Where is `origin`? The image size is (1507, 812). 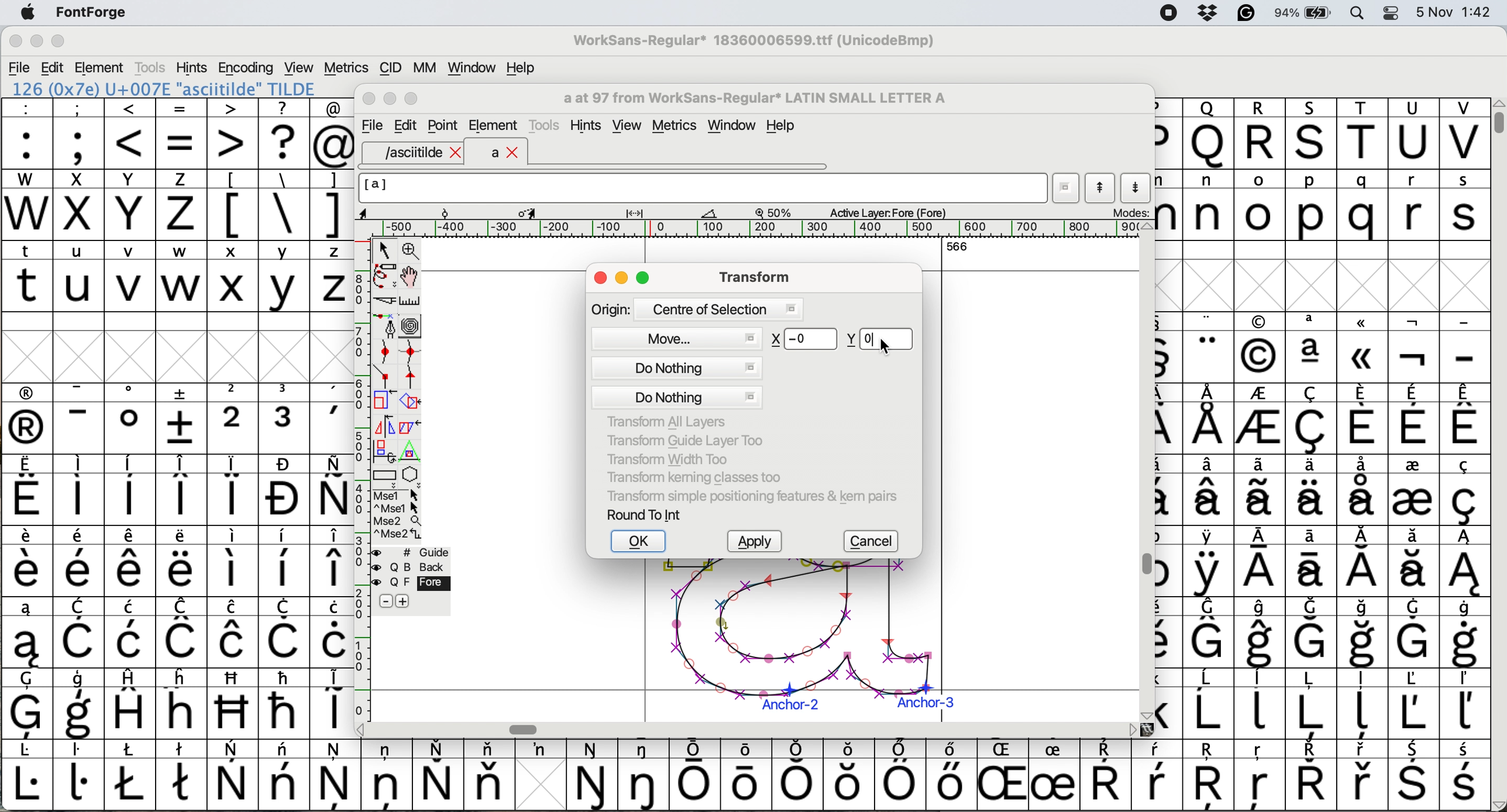 origin is located at coordinates (696, 308).